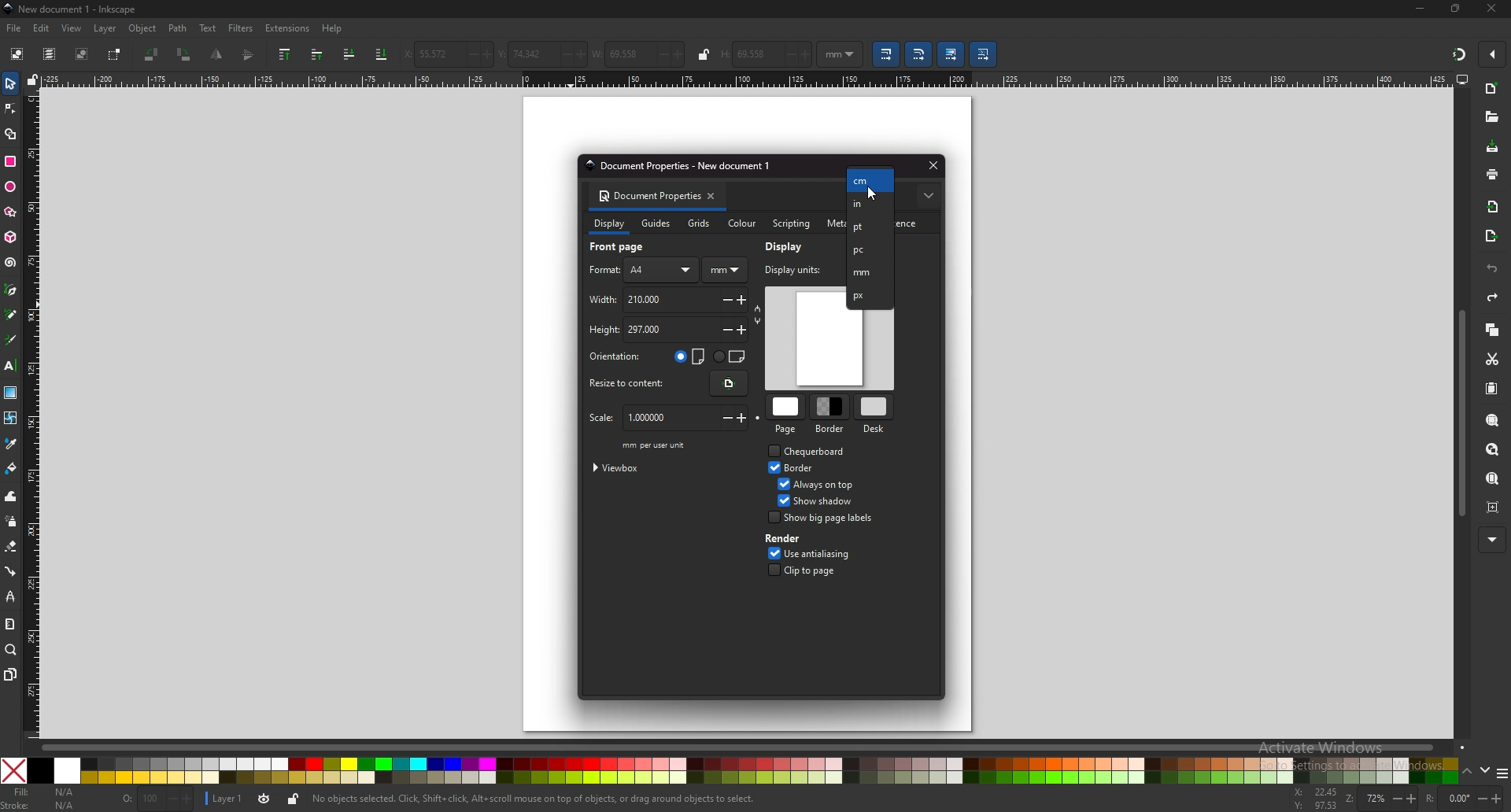  What do you see at coordinates (11, 364) in the screenshot?
I see `text` at bounding box center [11, 364].